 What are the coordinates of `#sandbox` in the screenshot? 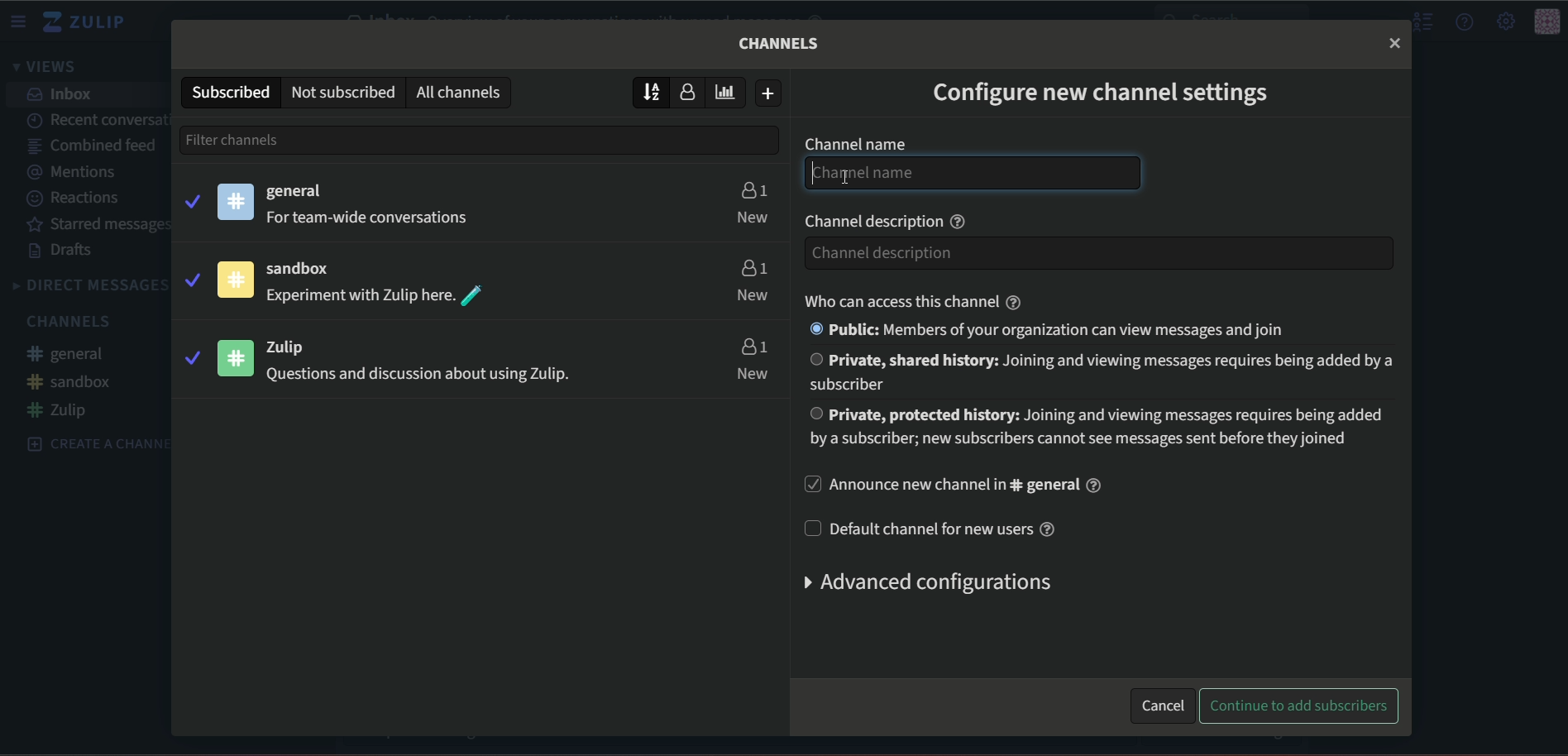 It's located at (70, 381).